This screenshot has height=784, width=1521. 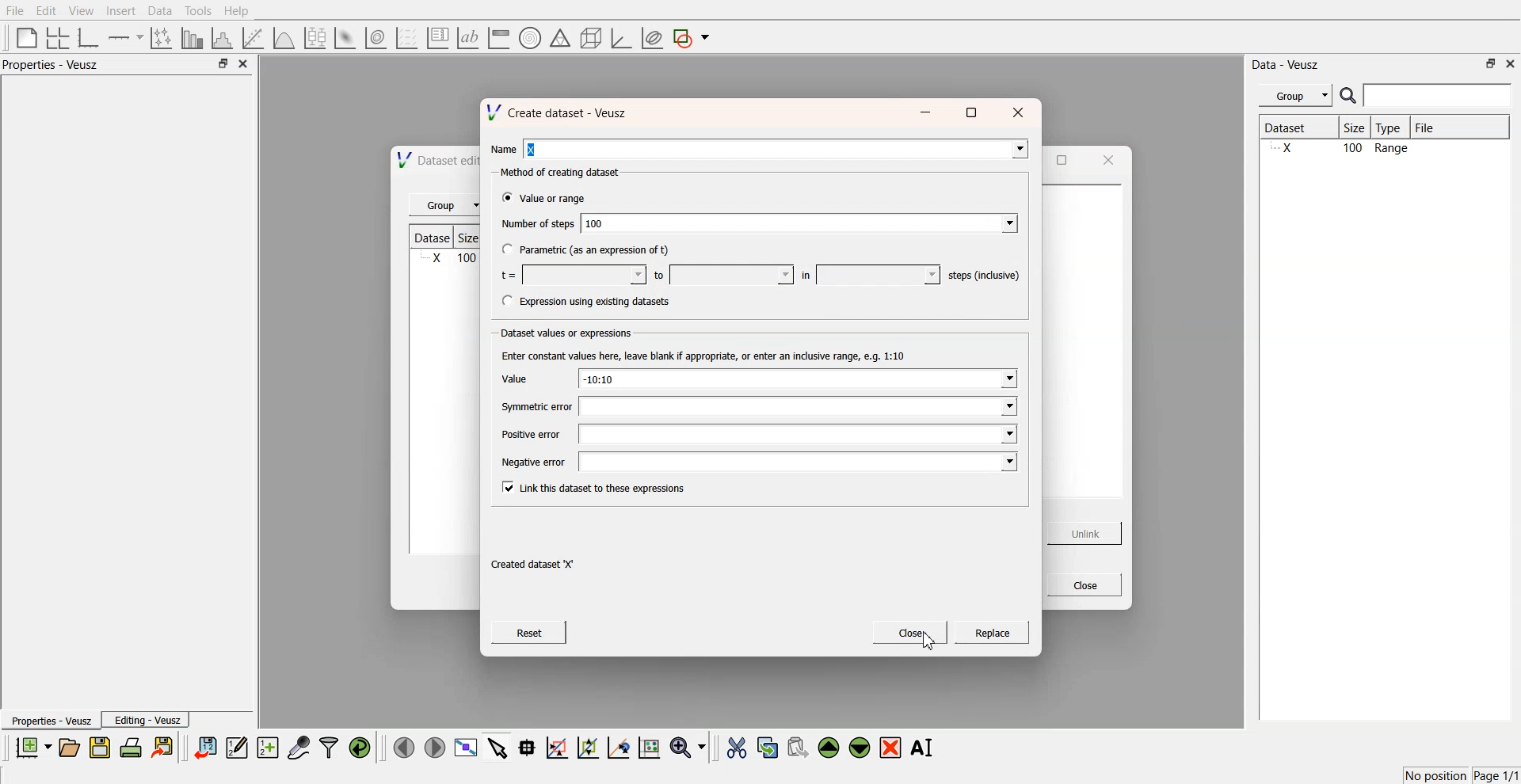 I want to click on Group ~~, so click(x=446, y=206).